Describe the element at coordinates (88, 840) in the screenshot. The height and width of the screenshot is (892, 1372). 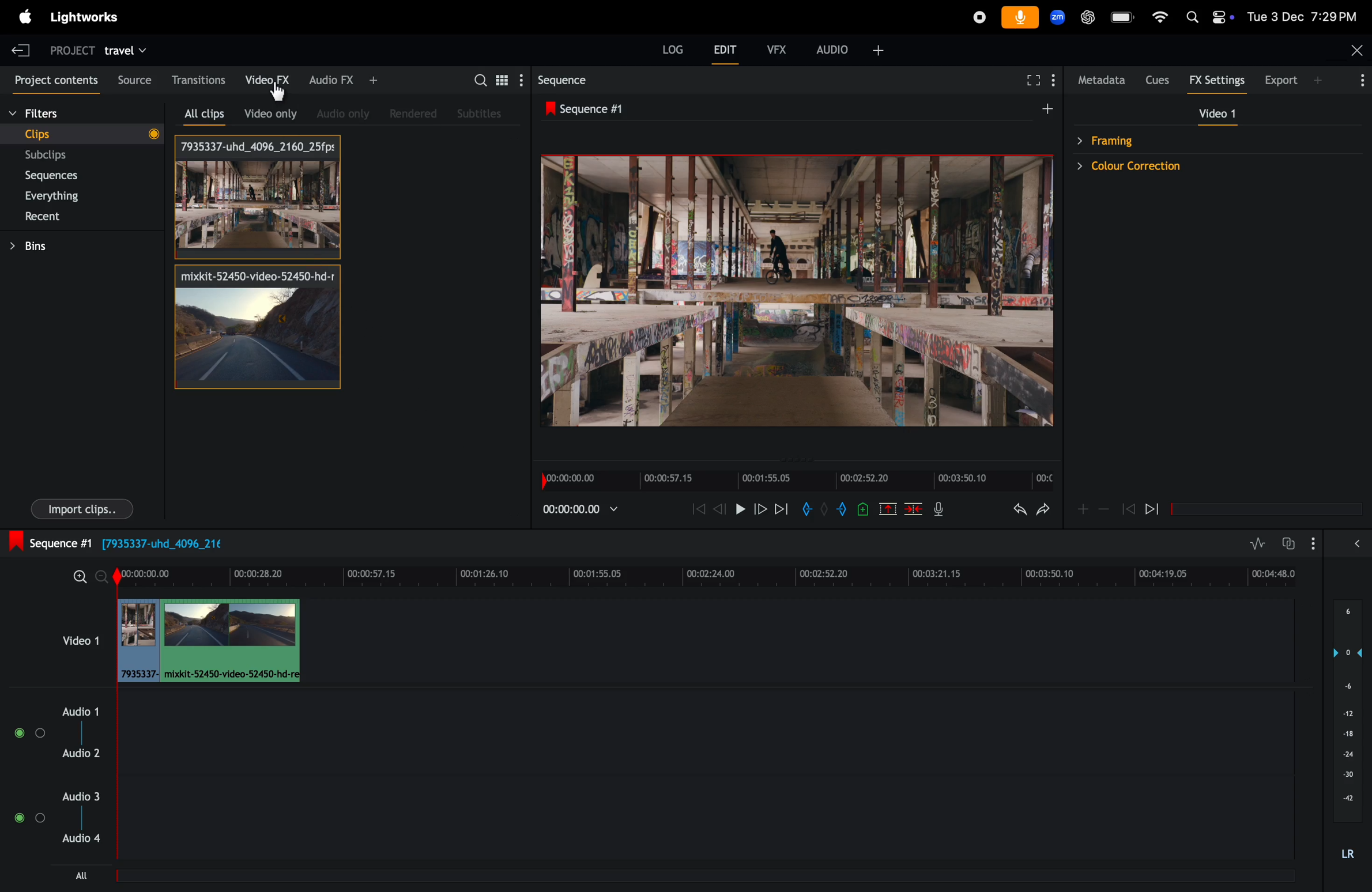
I see `audio 4` at that location.